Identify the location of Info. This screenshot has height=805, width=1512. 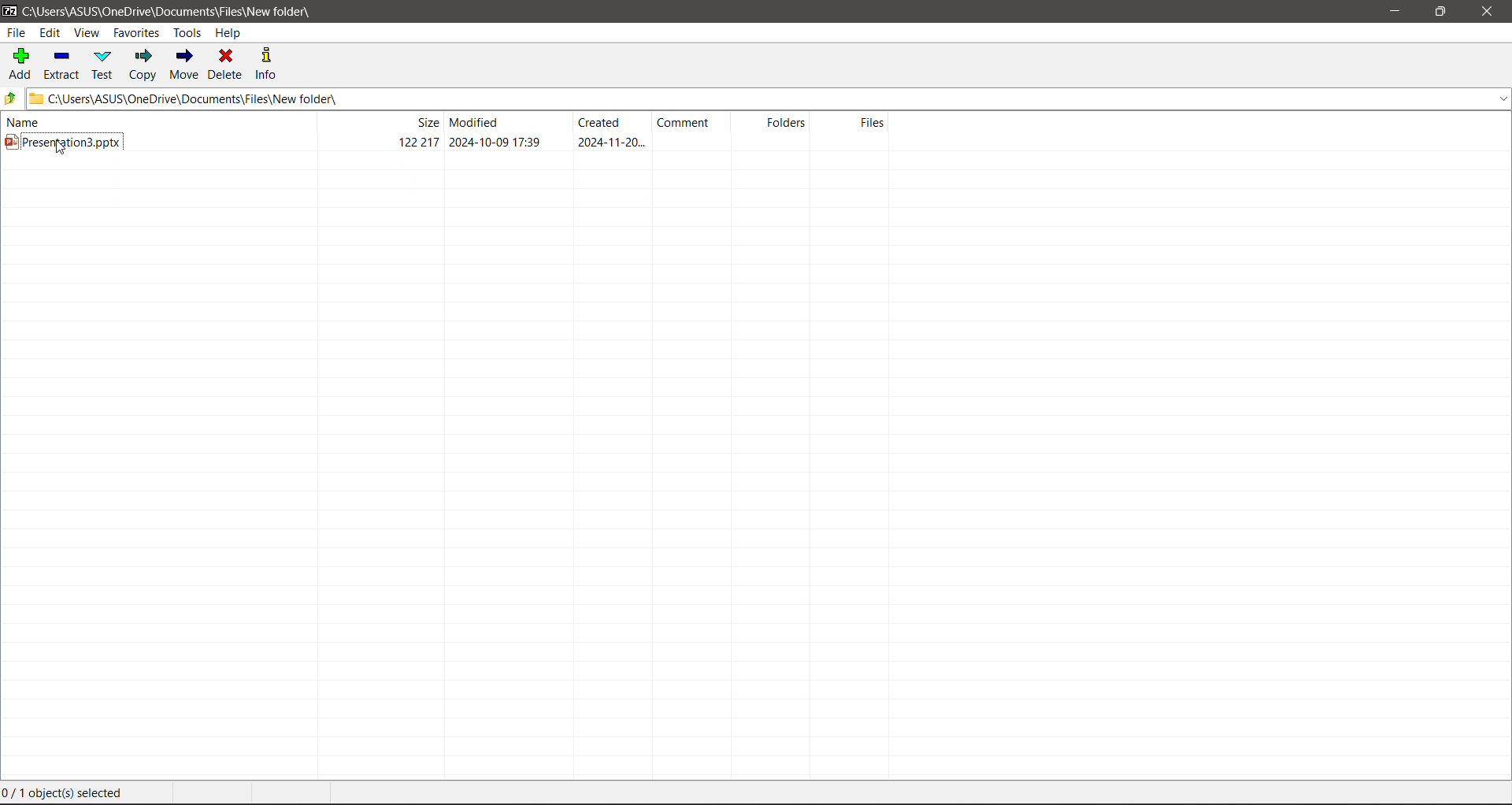
(268, 63).